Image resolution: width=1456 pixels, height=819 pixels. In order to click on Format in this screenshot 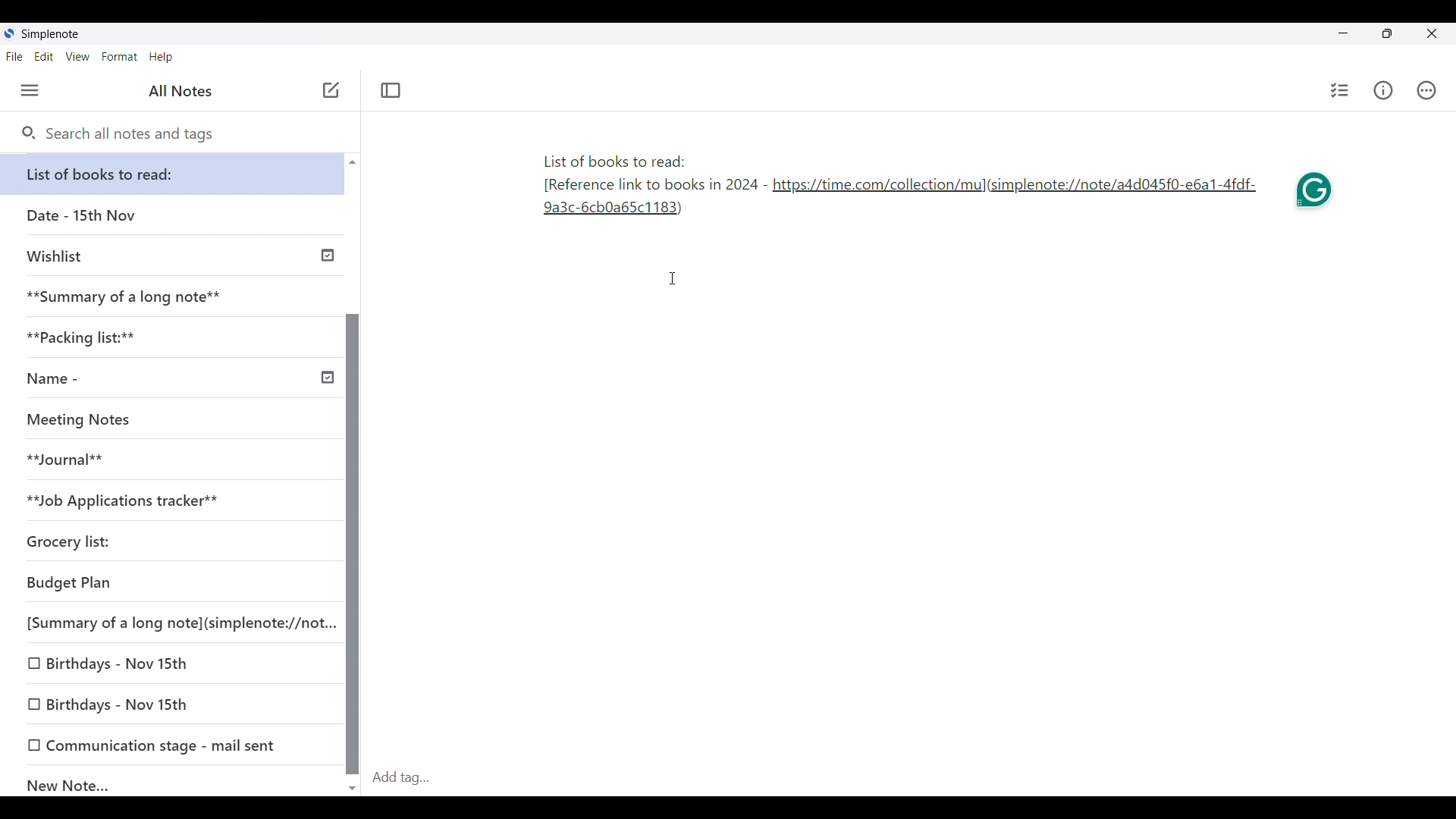, I will do `click(120, 57)`.